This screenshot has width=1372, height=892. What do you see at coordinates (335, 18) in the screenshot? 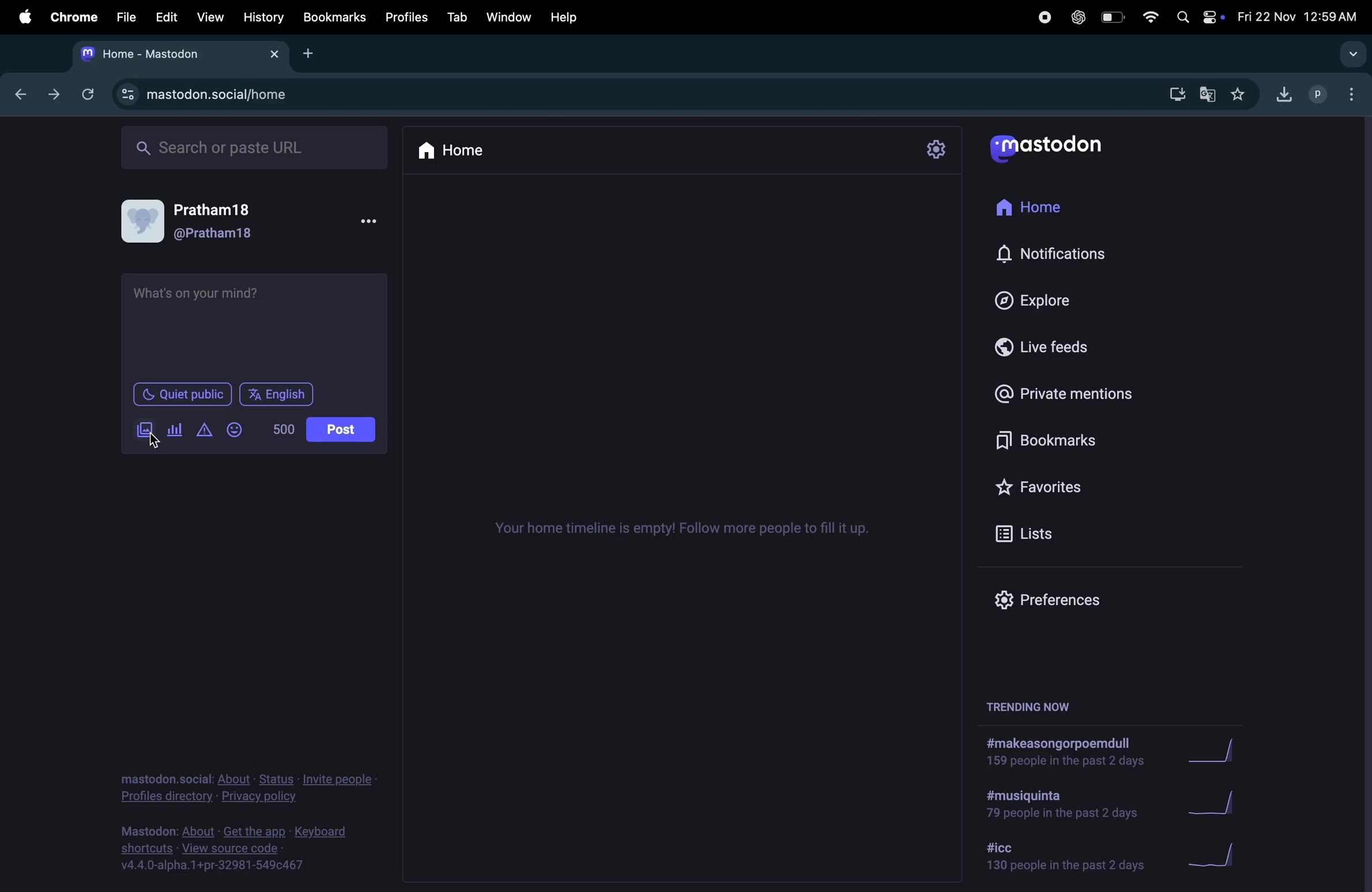
I see `book marks` at bounding box center [335, 18].